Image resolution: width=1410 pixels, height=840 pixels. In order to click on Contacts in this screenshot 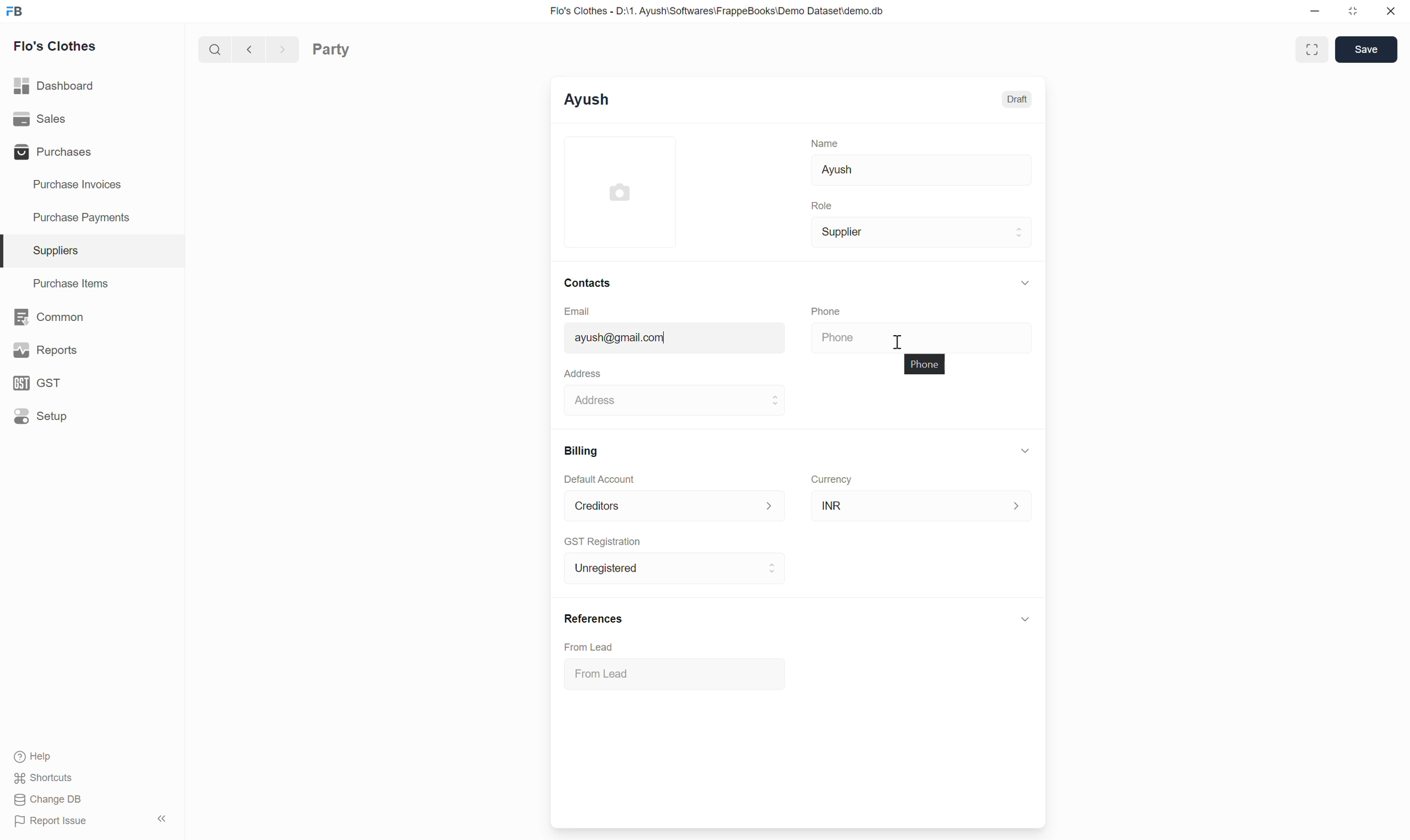, I will do `click(588, 283)`.